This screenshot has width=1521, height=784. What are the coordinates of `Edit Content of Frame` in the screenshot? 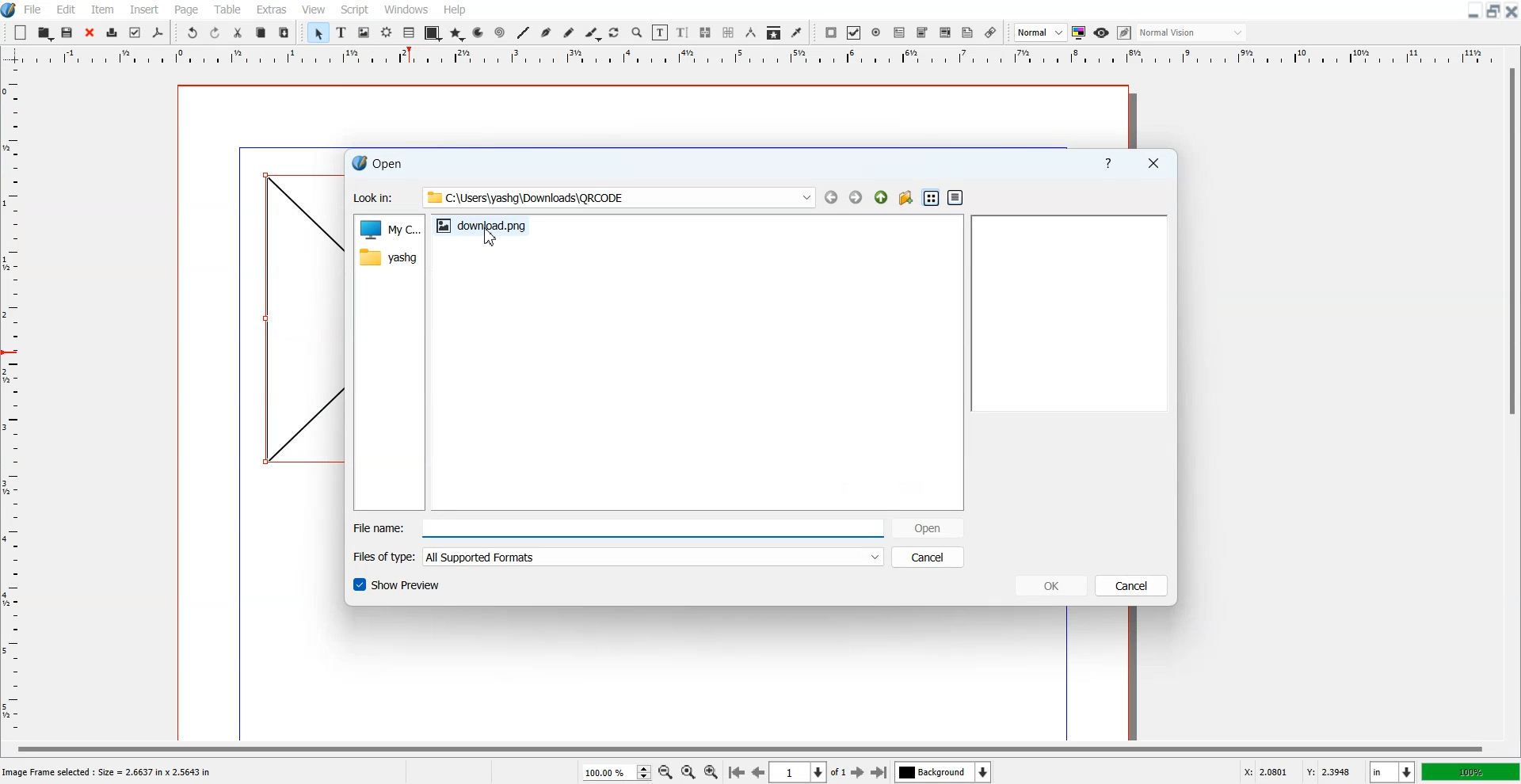 It's located at (661, 32).